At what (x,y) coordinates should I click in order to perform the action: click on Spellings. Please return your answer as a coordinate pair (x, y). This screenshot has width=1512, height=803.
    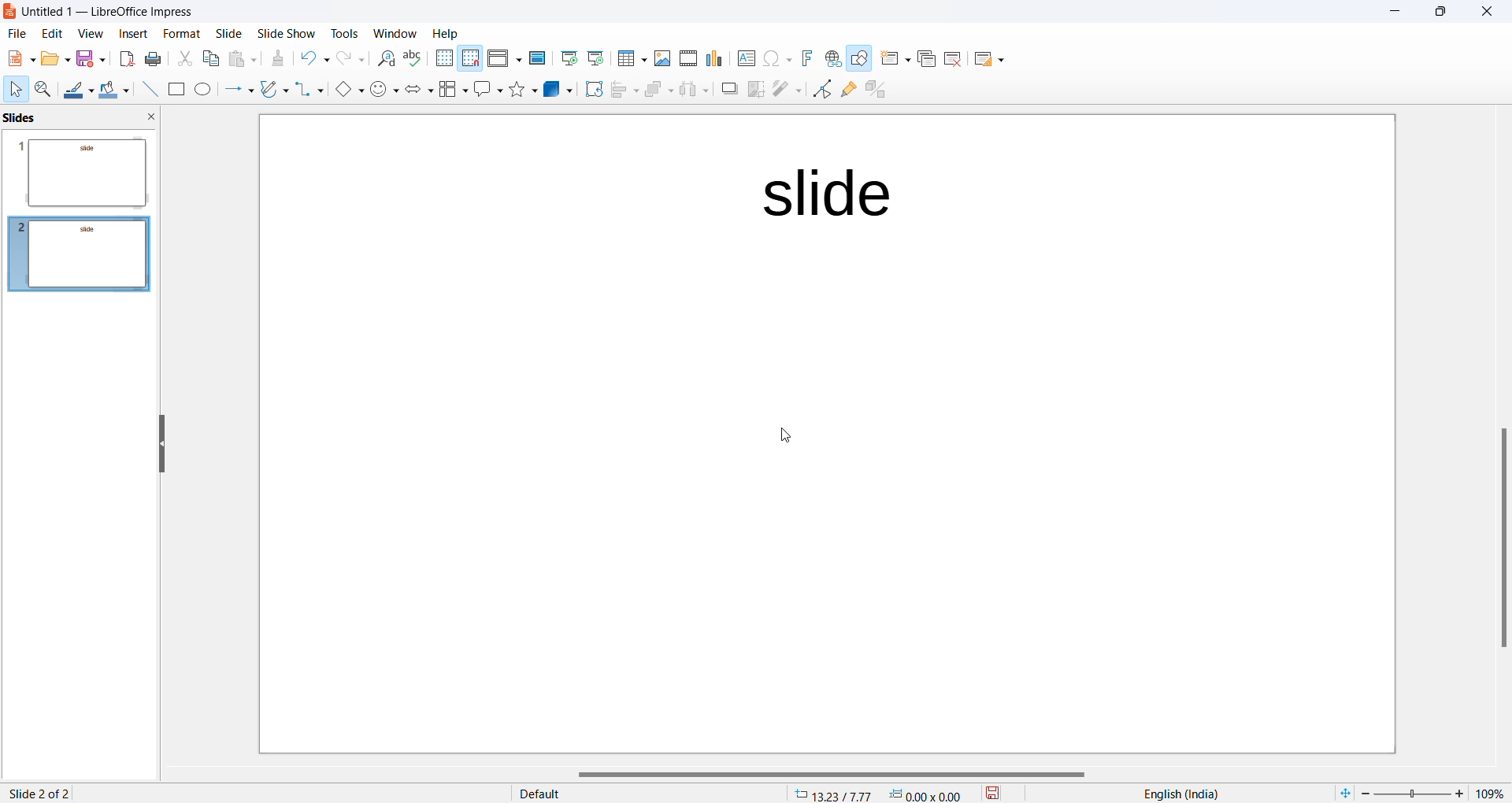
    Looking at the image, I should click on (413, 58).